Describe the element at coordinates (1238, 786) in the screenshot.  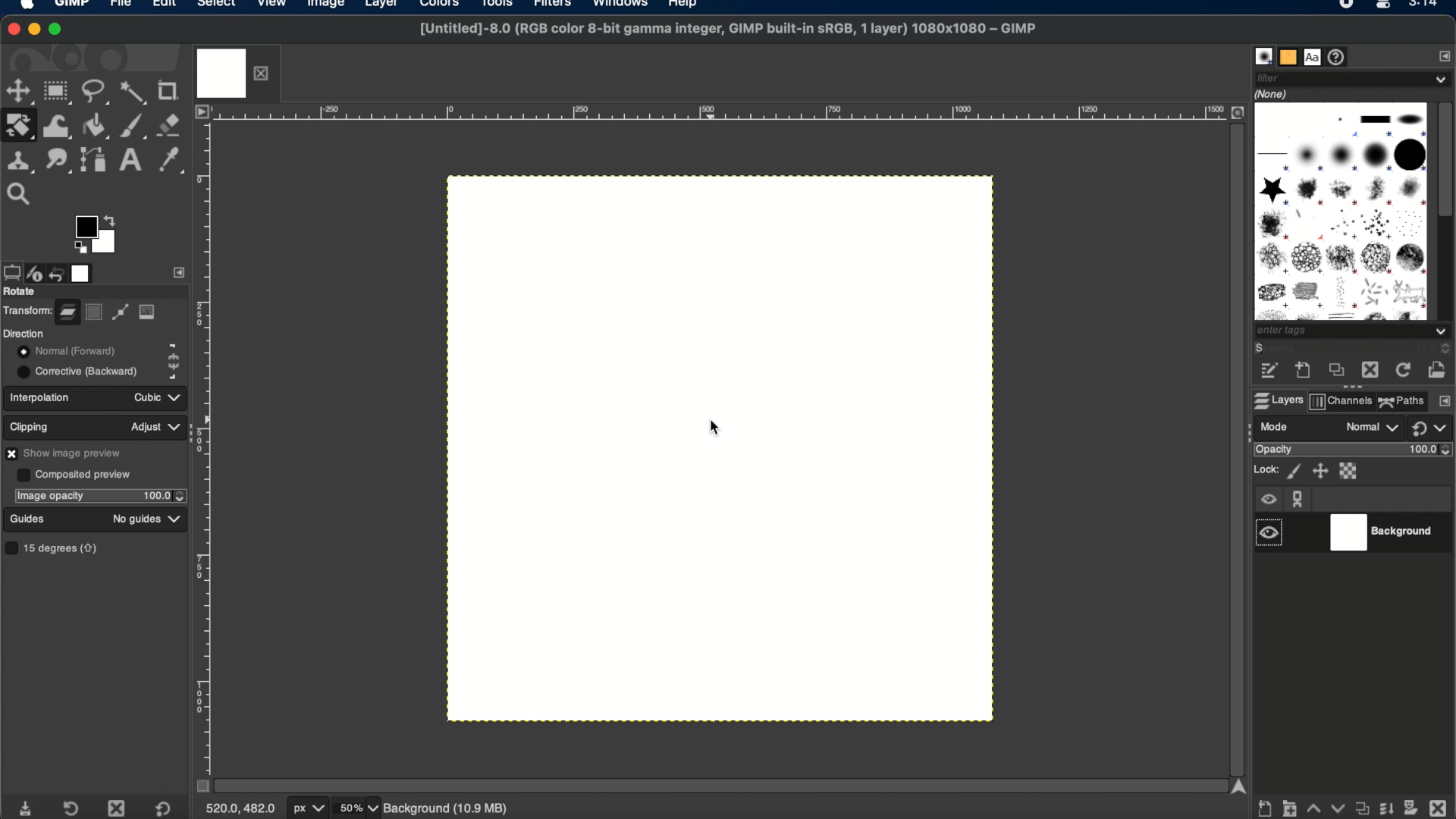
I see `scroll up arrow` at that location.